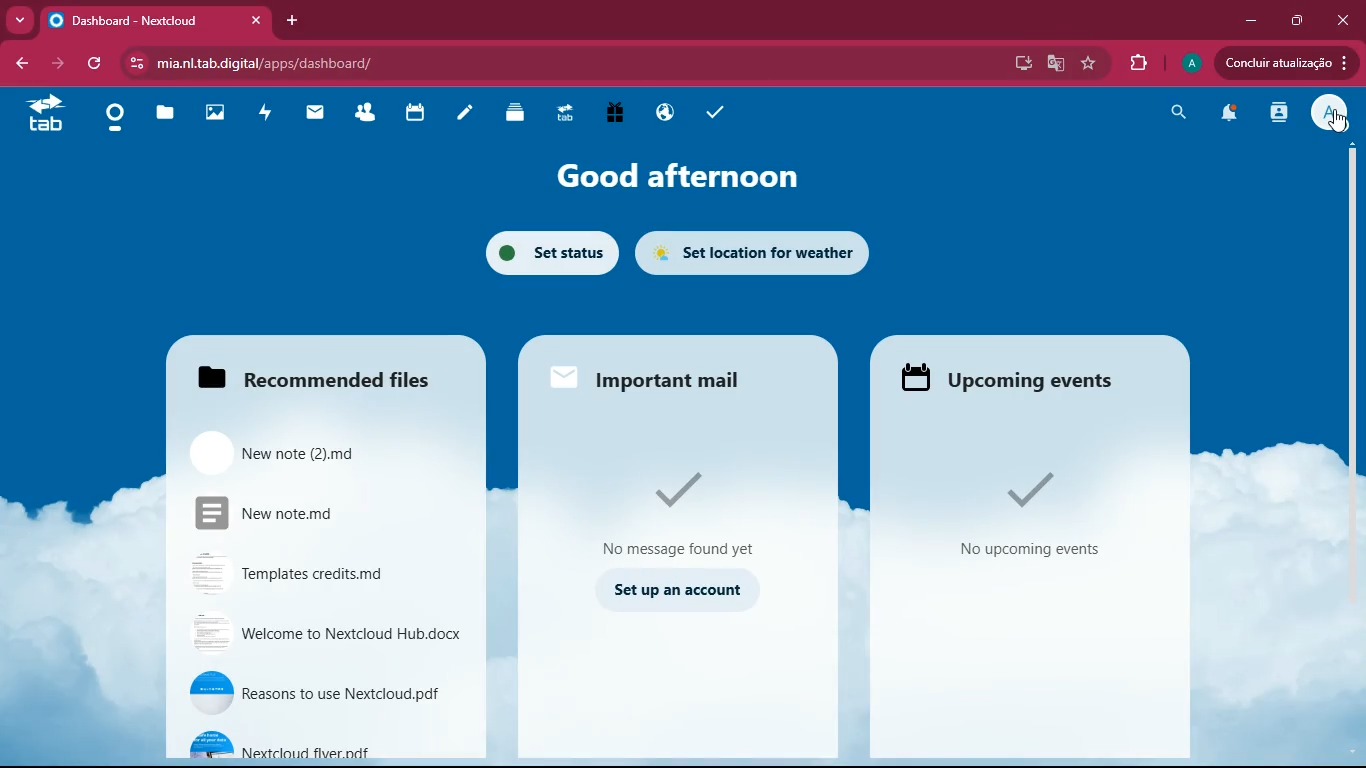 The image size is (1366, 768). Describe the element at coordinates (1009, 379) in the screenshot. I see `Upcoming events` at that location.